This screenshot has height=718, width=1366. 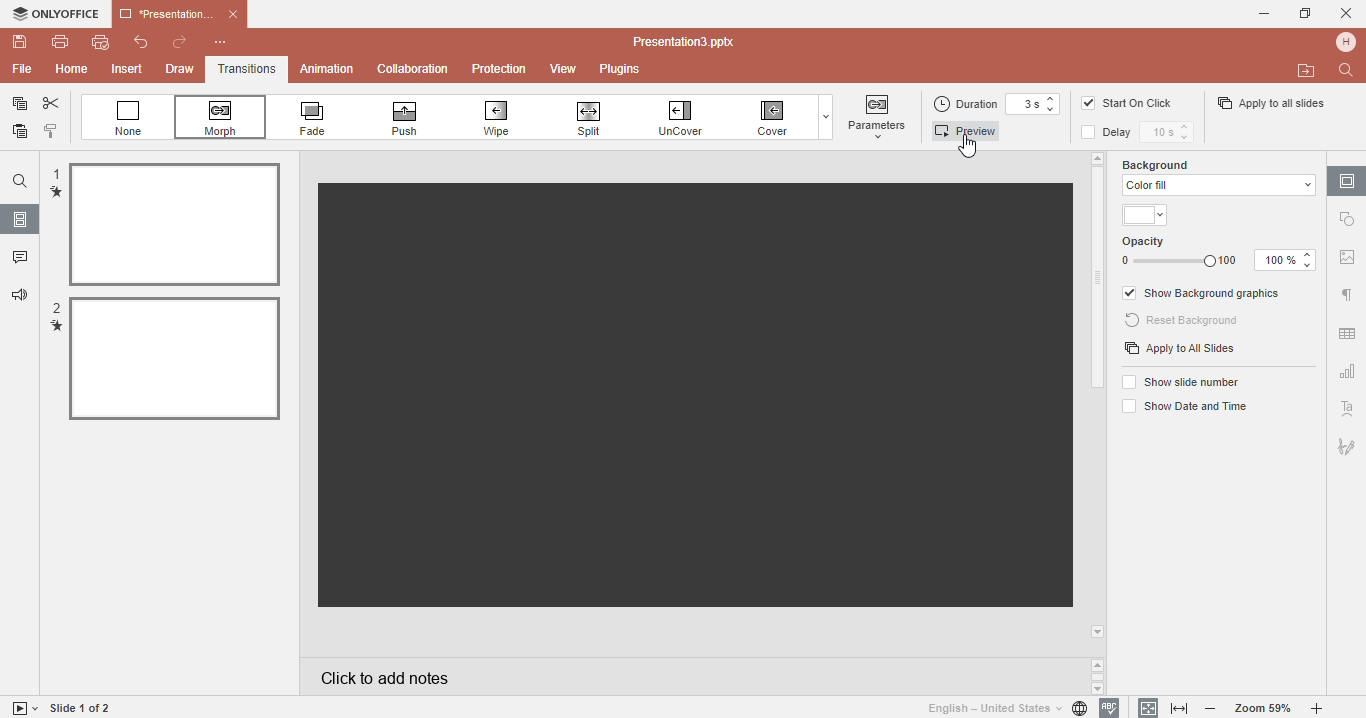 I want to click on Reset background, so click(x=1185, y=321).